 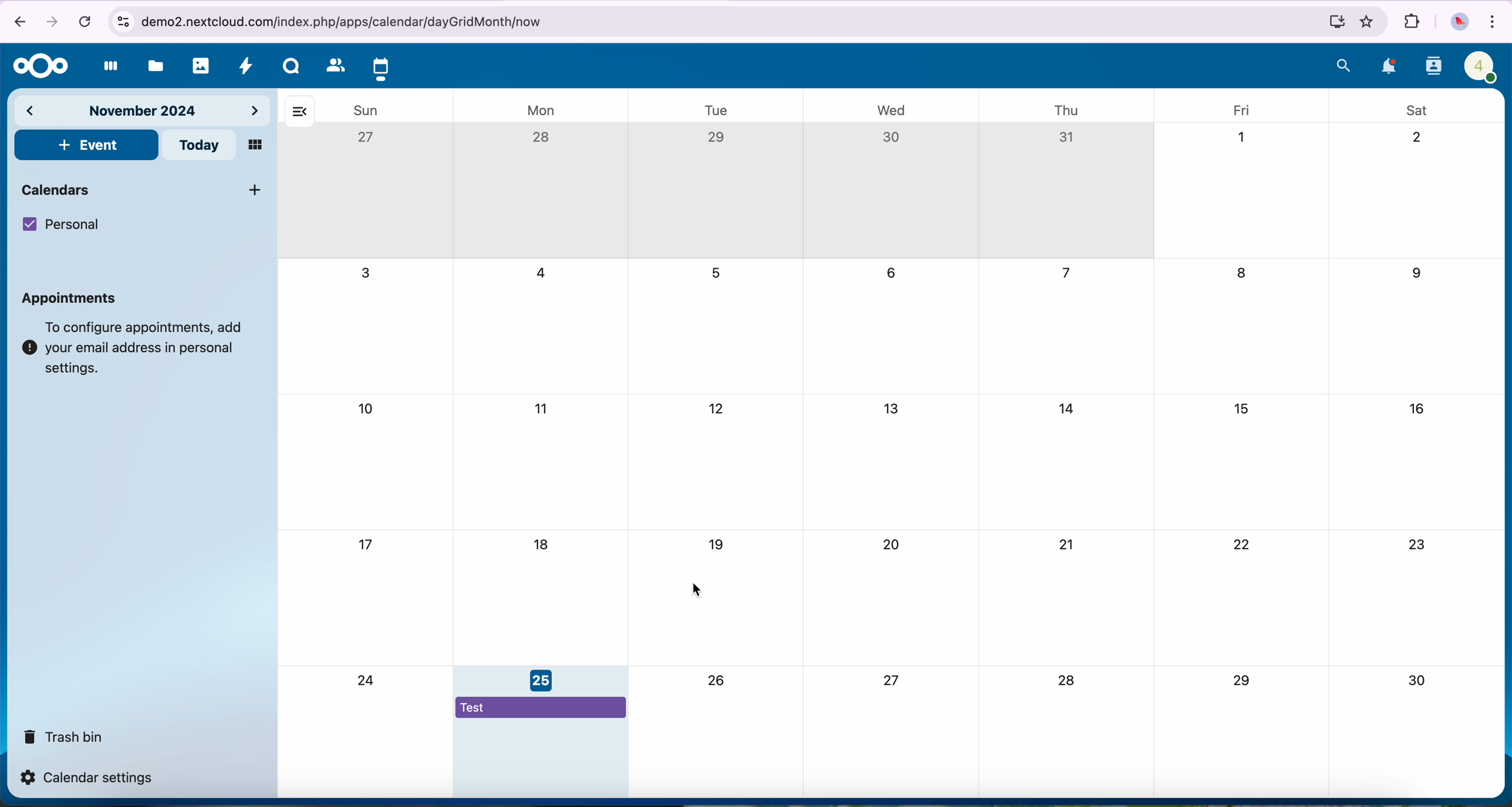 What do you see at coordinates (381, 67) in the screenshot?
I see `click on calendar` at bounding box center [381, 67].